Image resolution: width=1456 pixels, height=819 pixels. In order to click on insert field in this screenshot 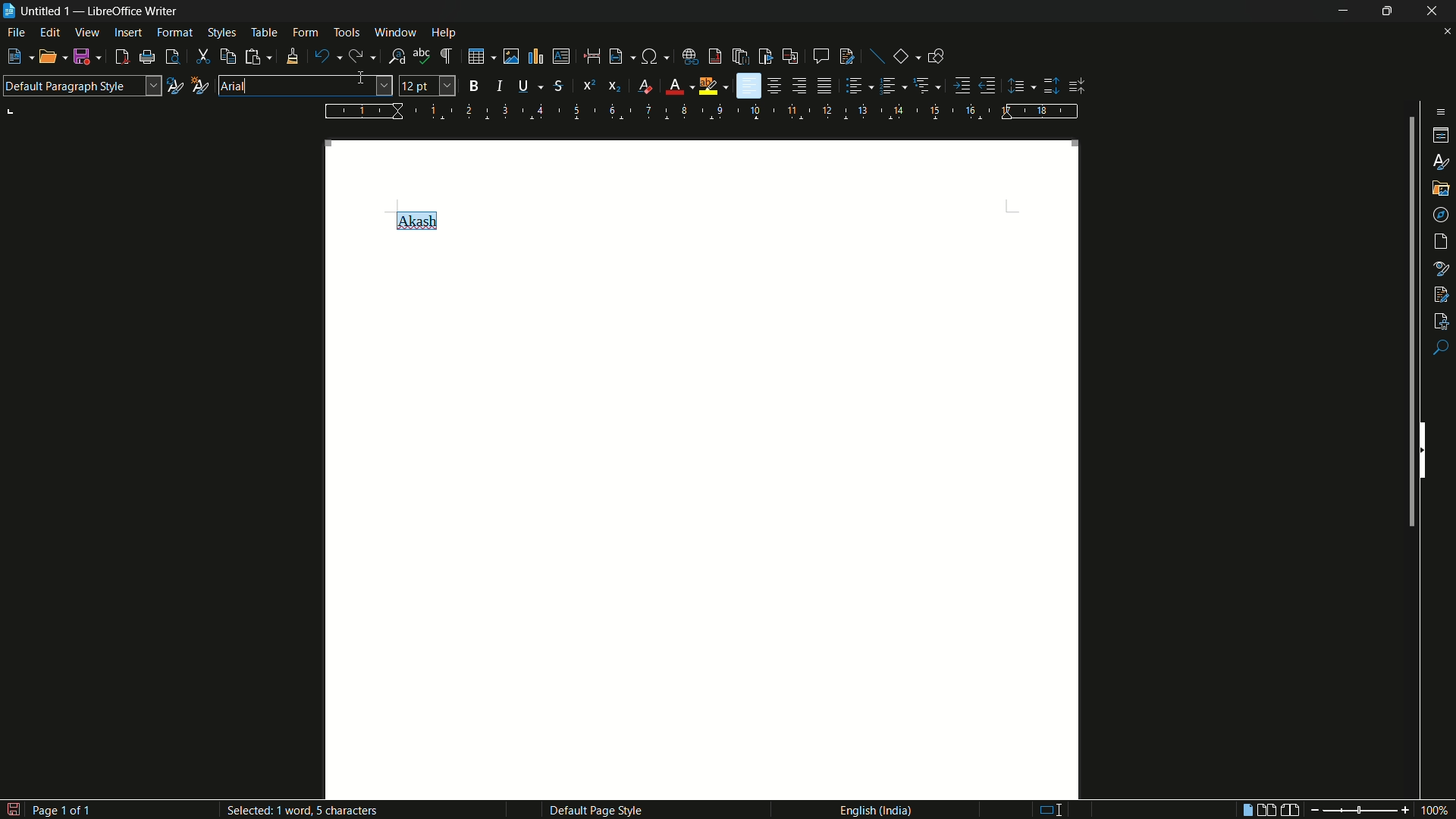, I will do `click(620, 57)`.